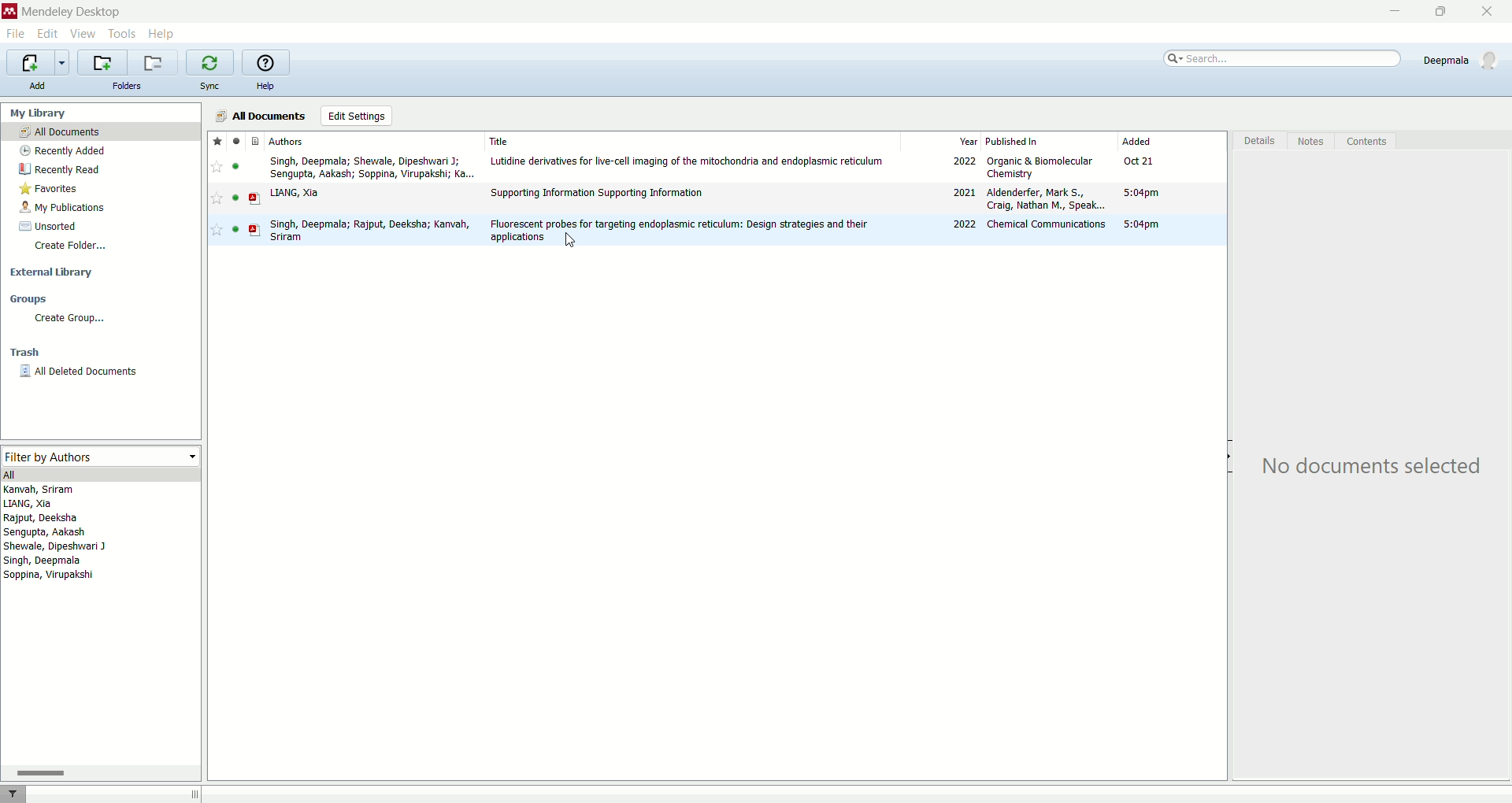 The height and width of the screenshot is (803, 1512). I want to click on create a new folder, so click(104, 62).